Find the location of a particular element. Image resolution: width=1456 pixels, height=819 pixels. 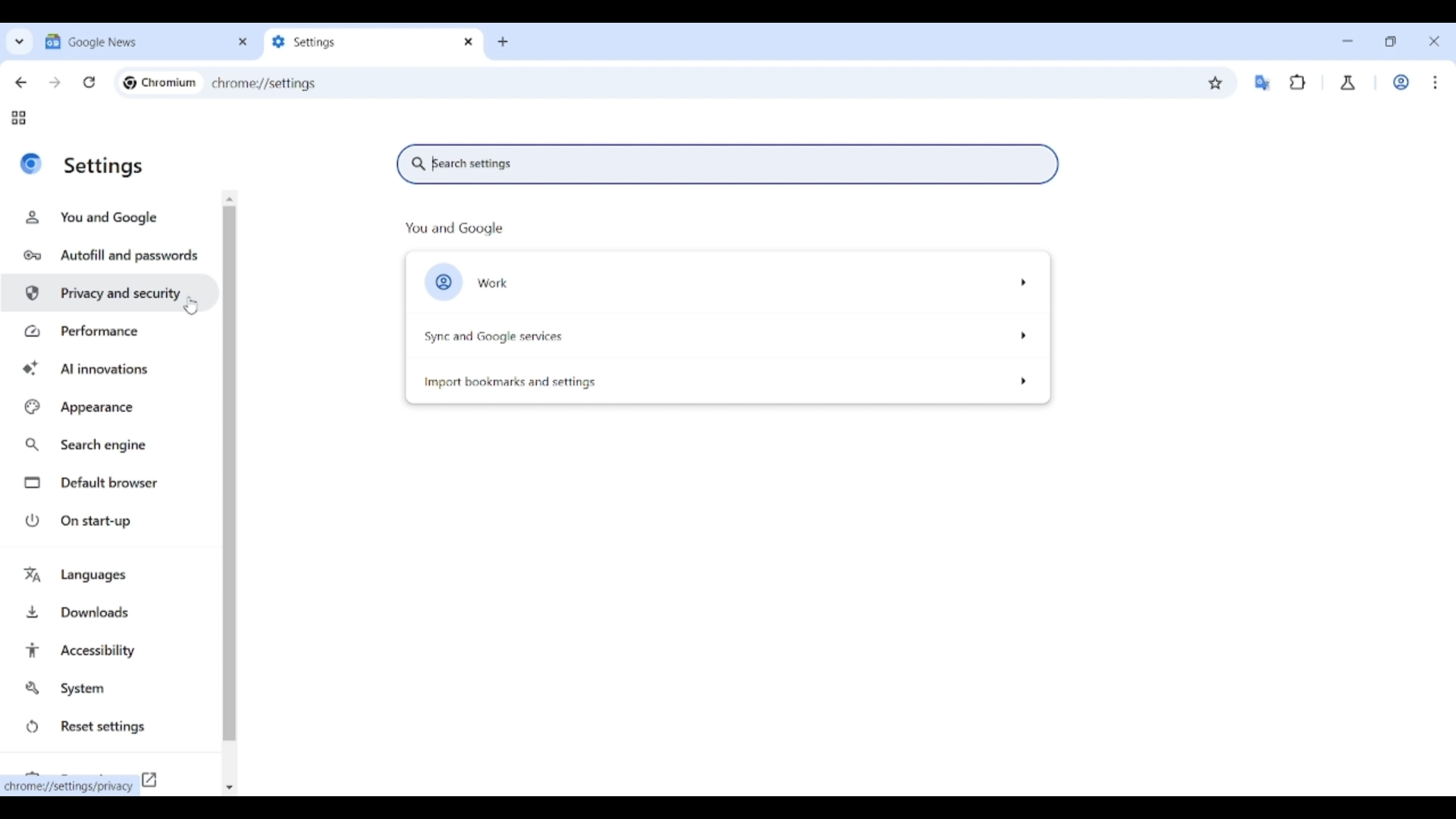

Go forward is located at coordinates (55, 83).